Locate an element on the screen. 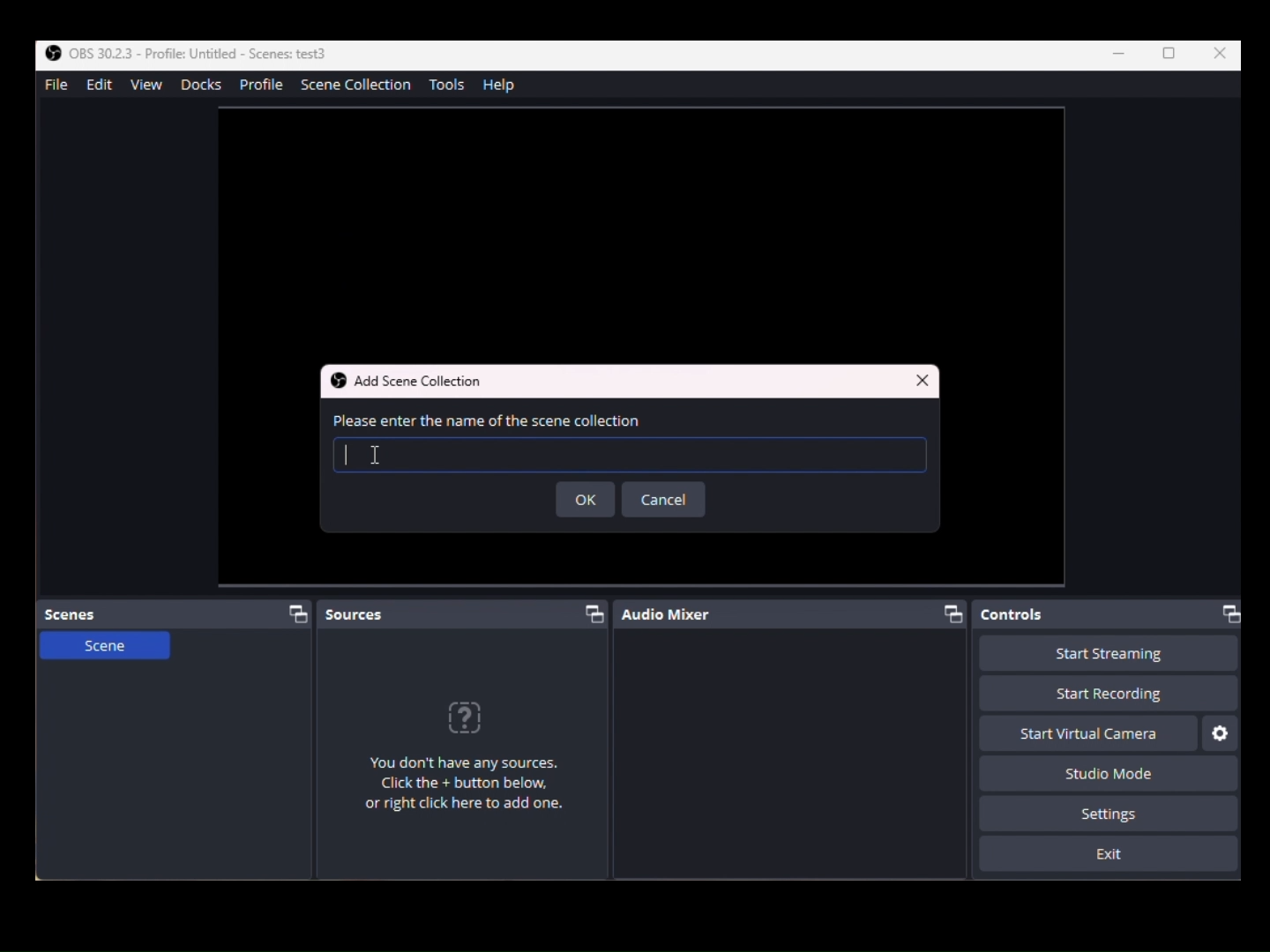 The height and width of the screenshot is (952, 1270). View is located at coordinates (150, 86).